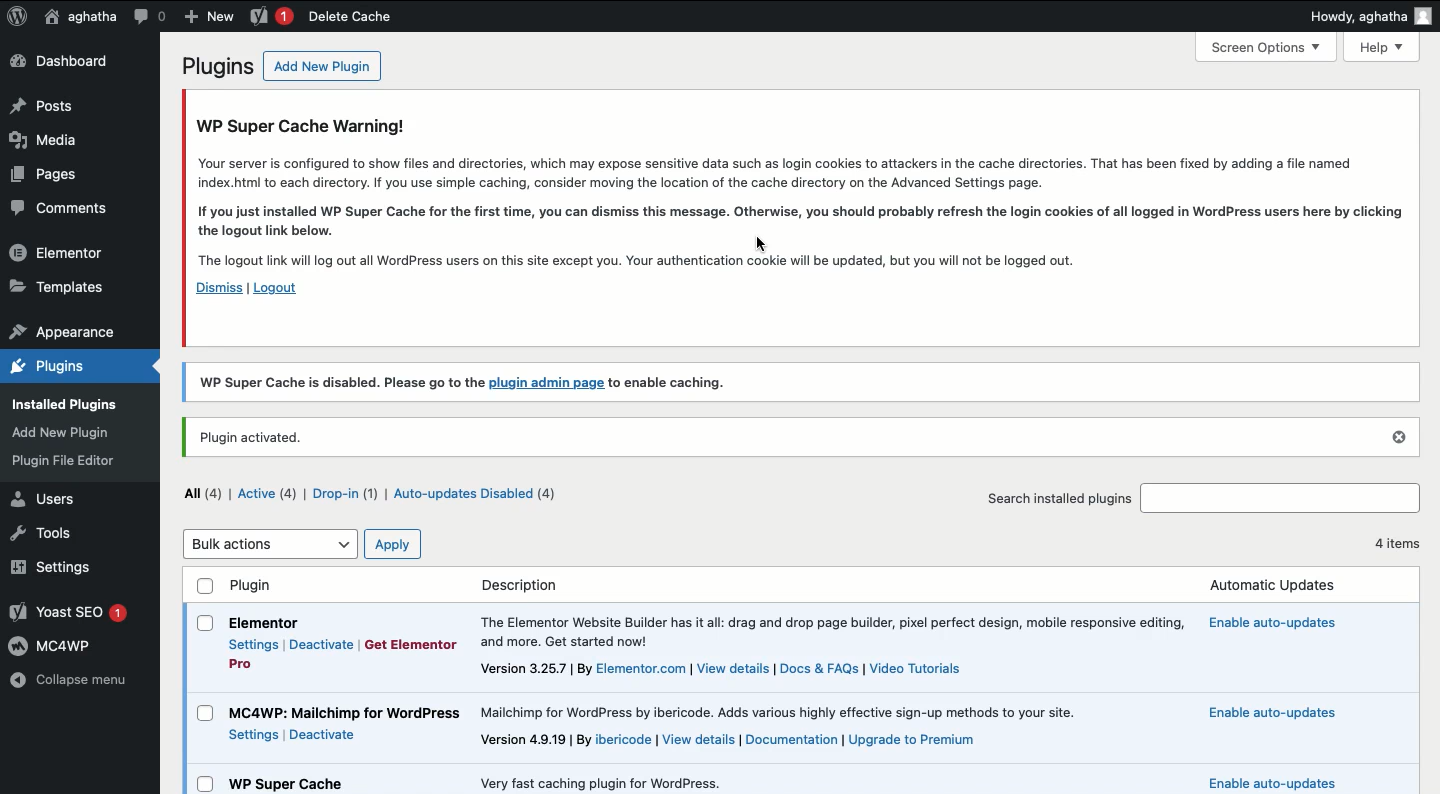 This screenshot has width=1440, height=794. I want to click on Drop in, so click(346, 493).